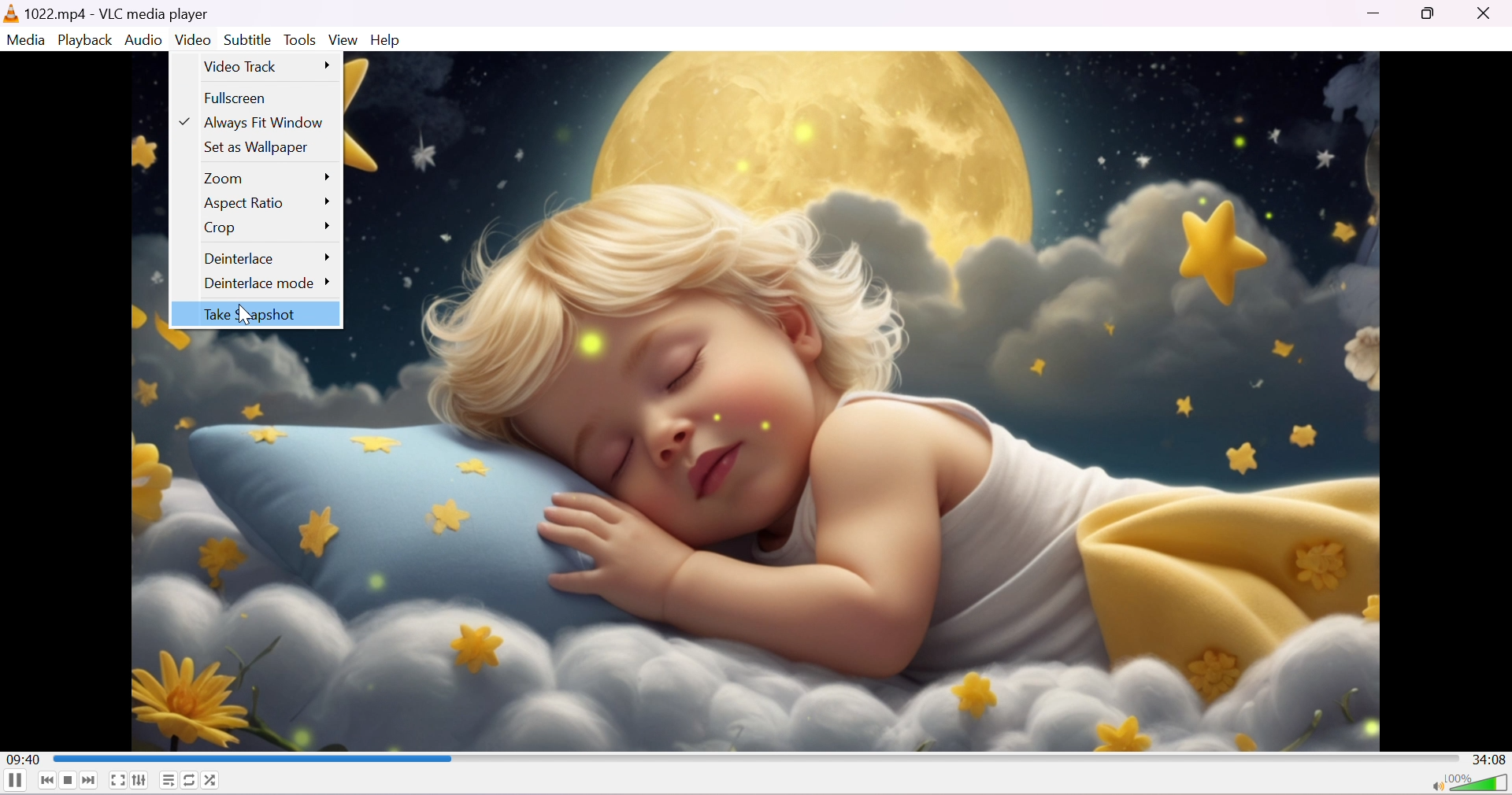 The width and height of the screenshot is (1512, 795). Describe the element at coordinates (10, 13) in the screenshot. I see `vlc media player logo` at that location.